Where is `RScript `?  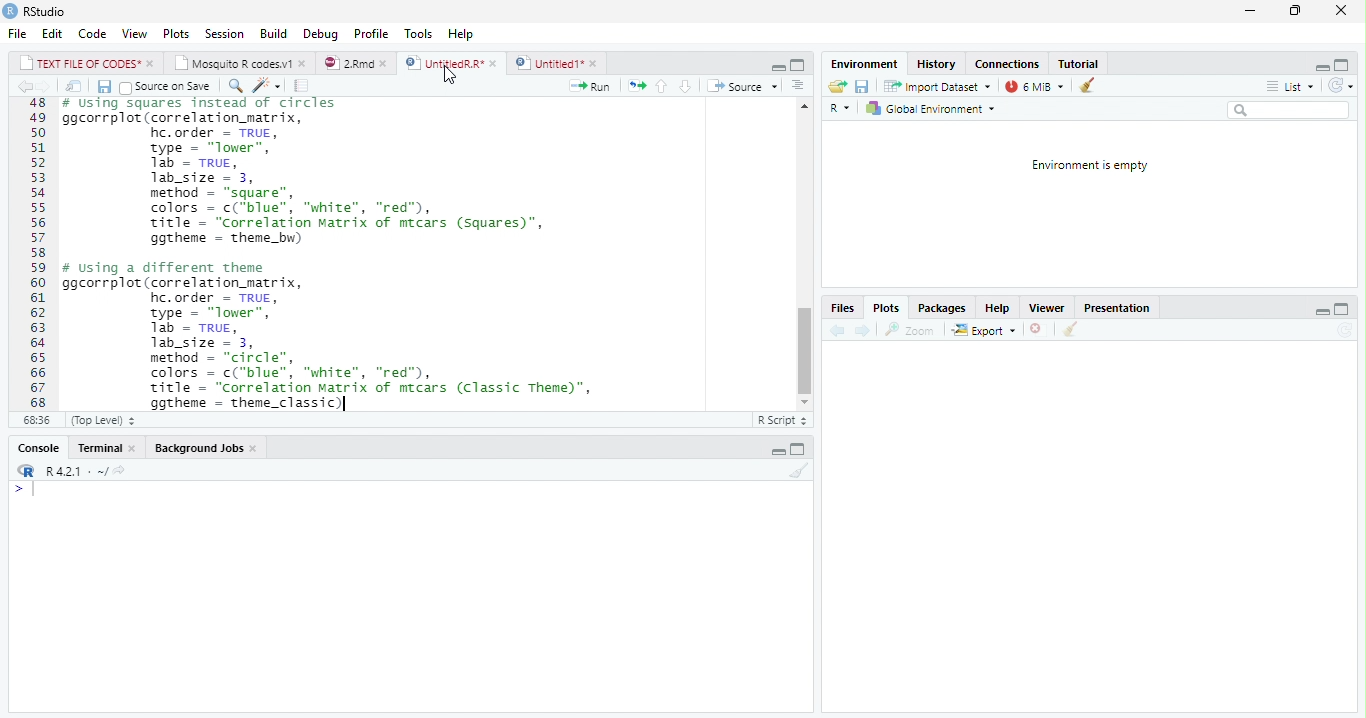
RScript  is located at coordinates (781, 421).